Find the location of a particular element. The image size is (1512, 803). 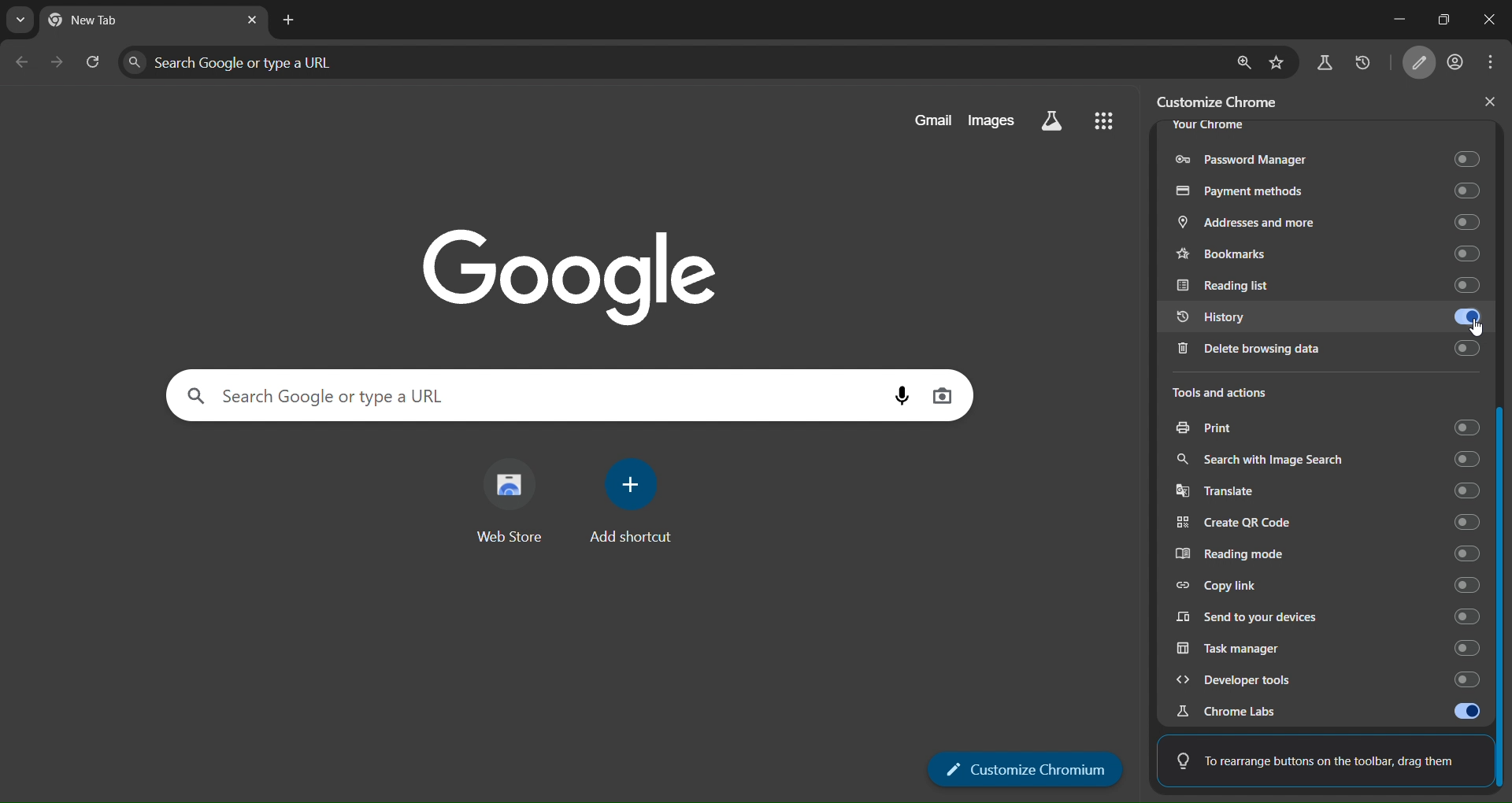

copy link is located at coordinates (1328, 584).